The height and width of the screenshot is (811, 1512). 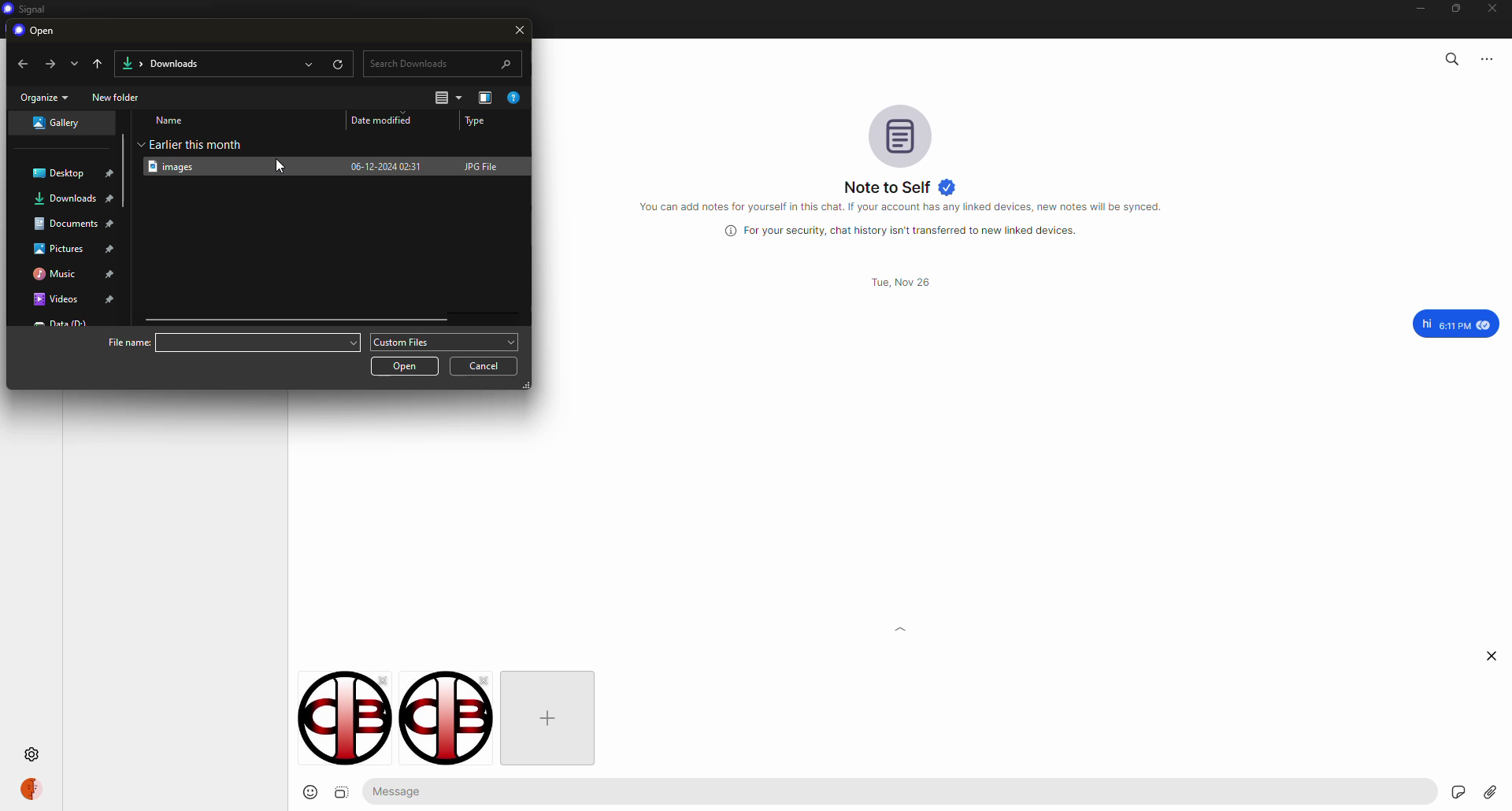 What do you see at coordinates (1457, 791) in the screenshot?
I see `stickers` at bounding box center [1457, 791].